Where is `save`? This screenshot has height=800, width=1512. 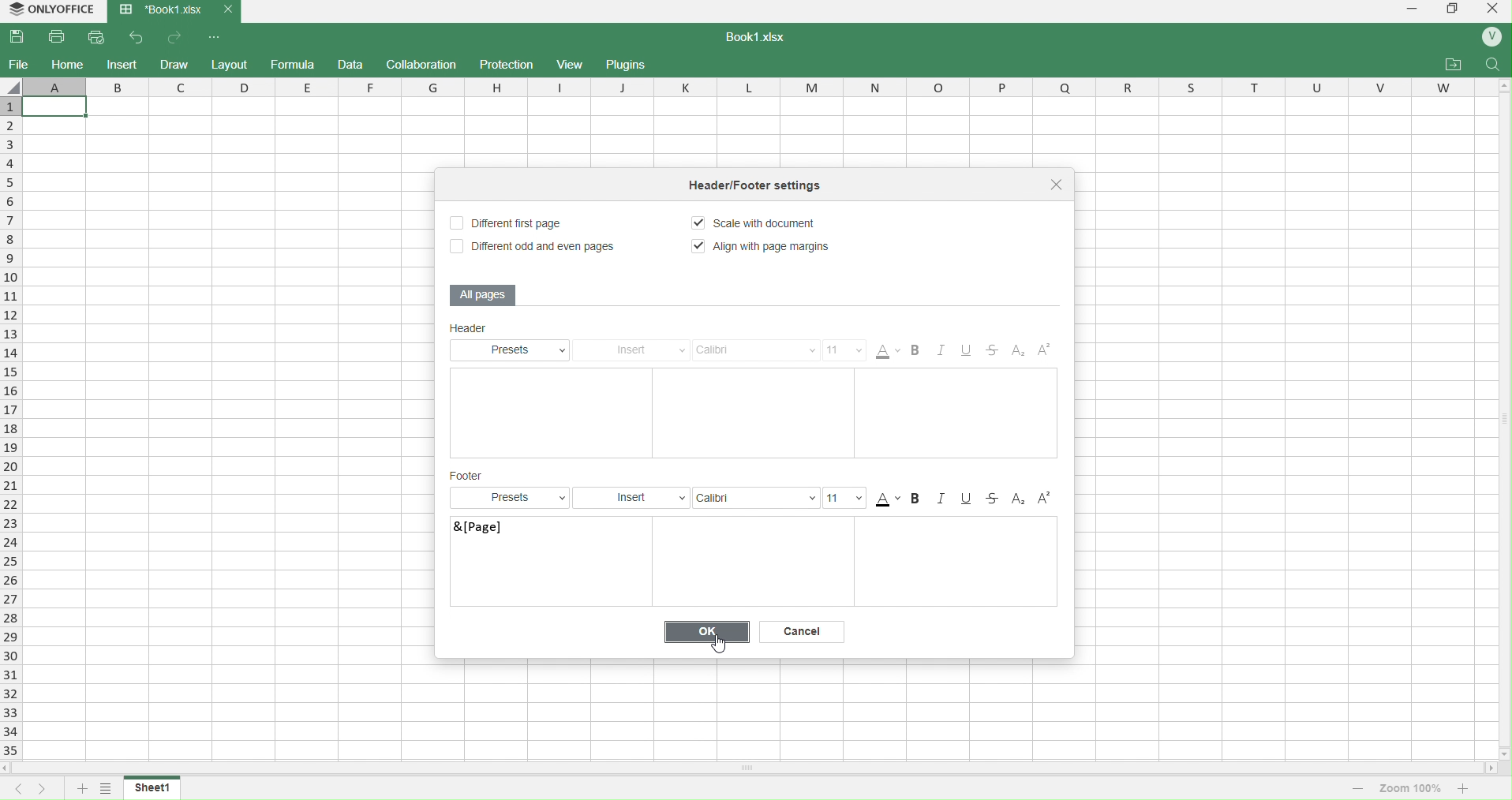 save is located at coordinates (21, 37).